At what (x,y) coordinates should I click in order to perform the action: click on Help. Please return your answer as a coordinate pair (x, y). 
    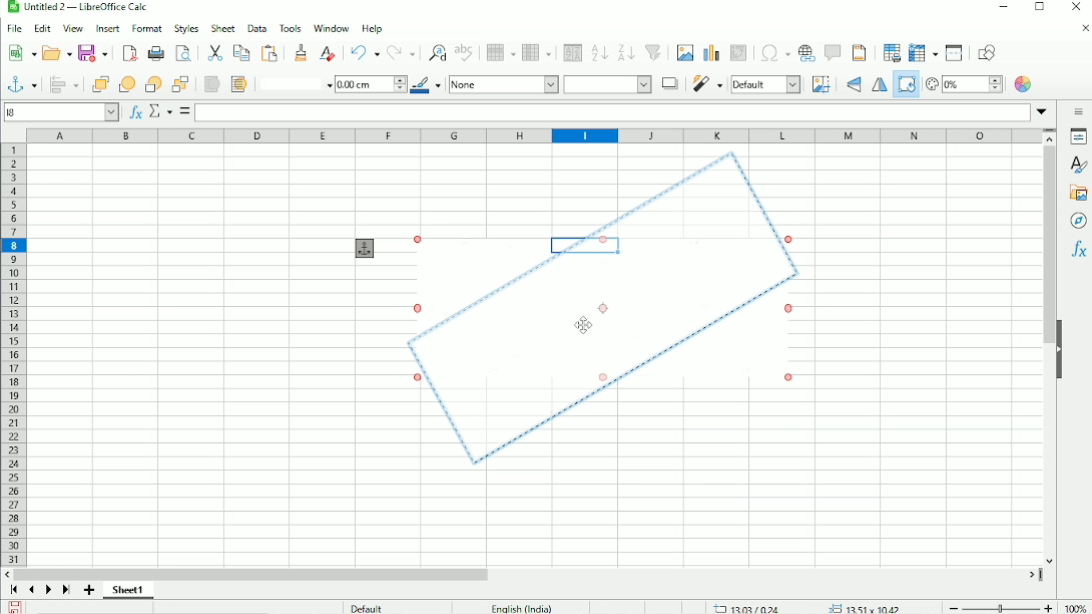
    Looking at the image, I should click on (373, 27).